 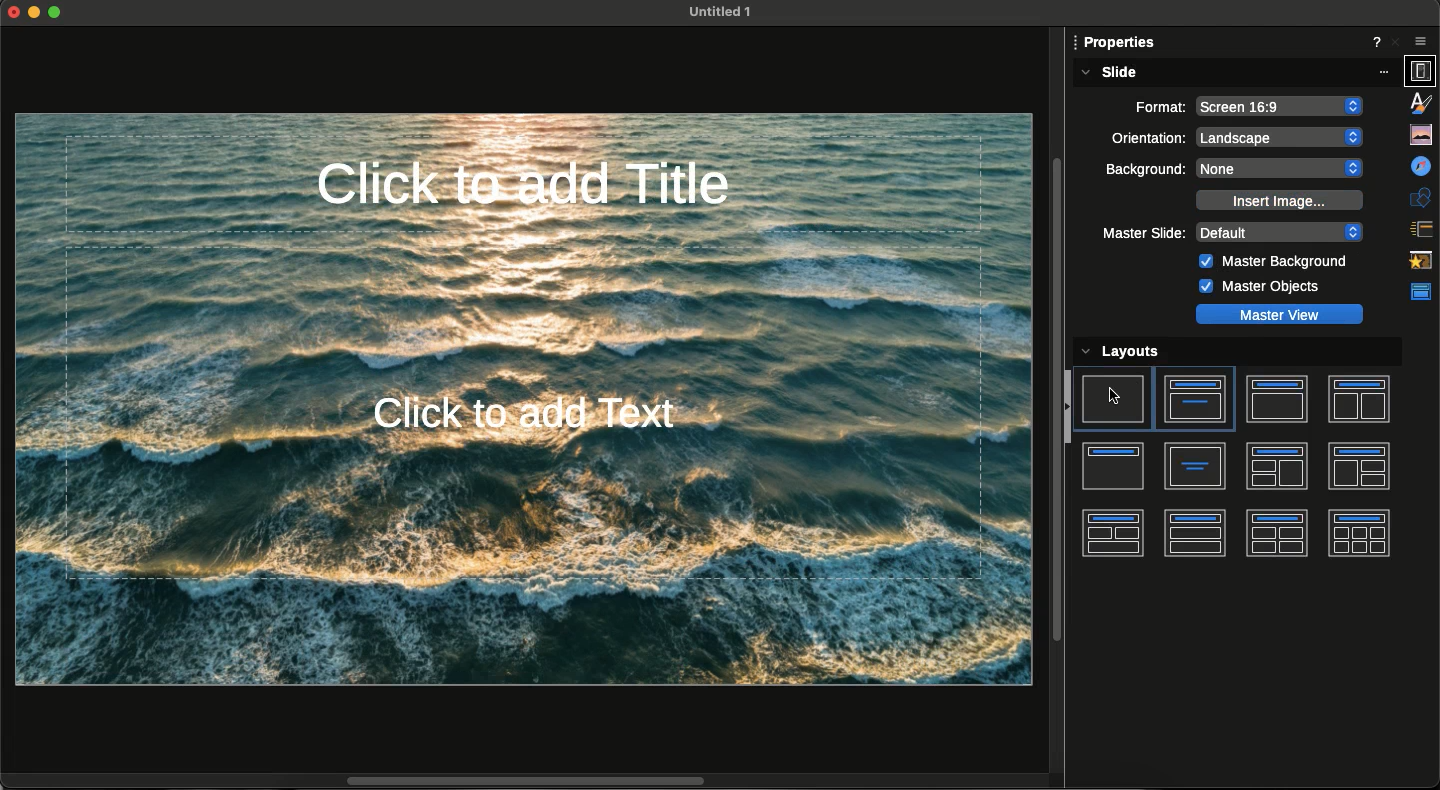 What do you see at coordinates (1282, 168) in the screenshot?
I see `None` at bounding box center [1282, 168].